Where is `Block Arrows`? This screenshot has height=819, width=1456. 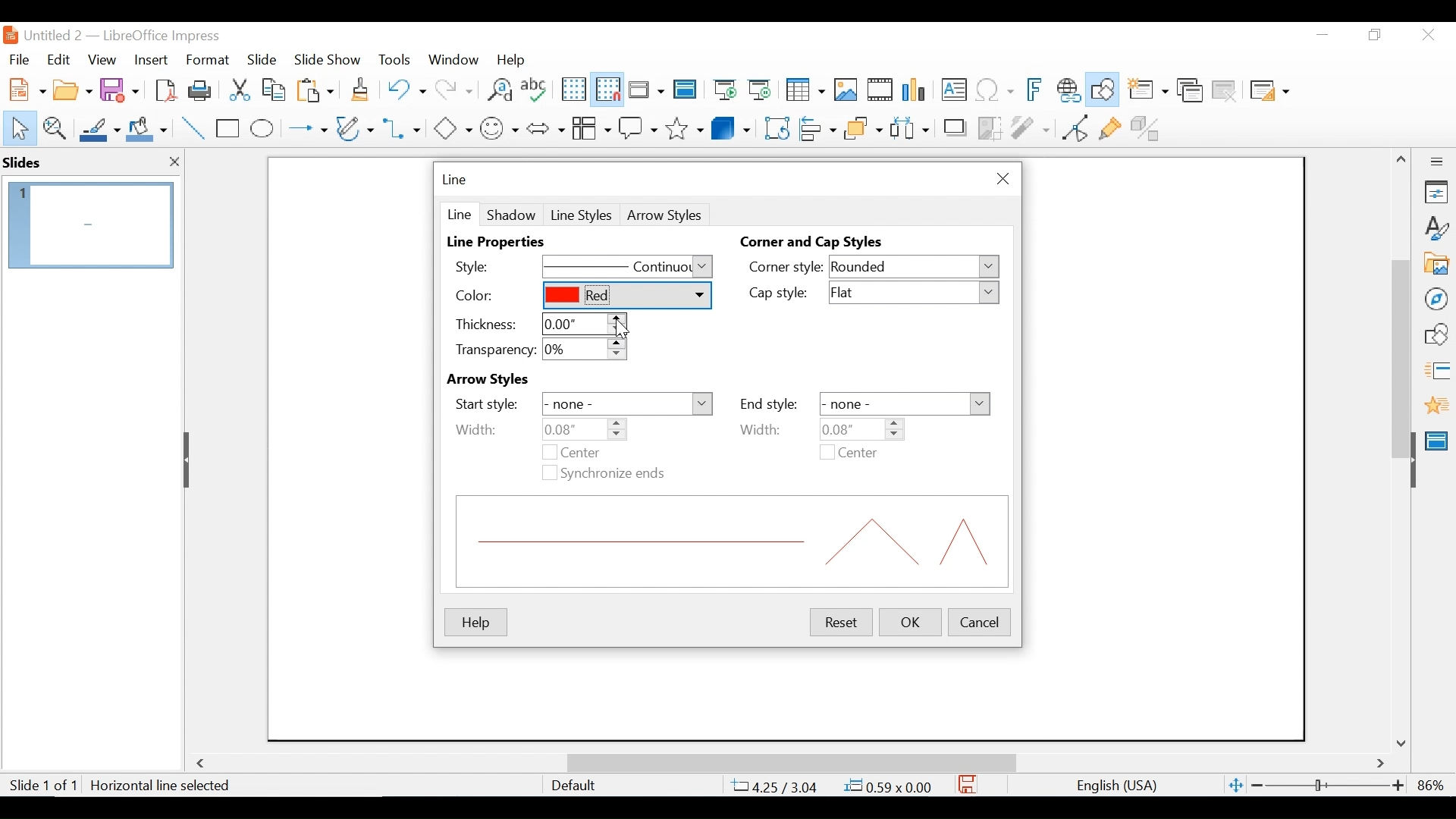
Block Arrows is located at coordinates (544, 127).